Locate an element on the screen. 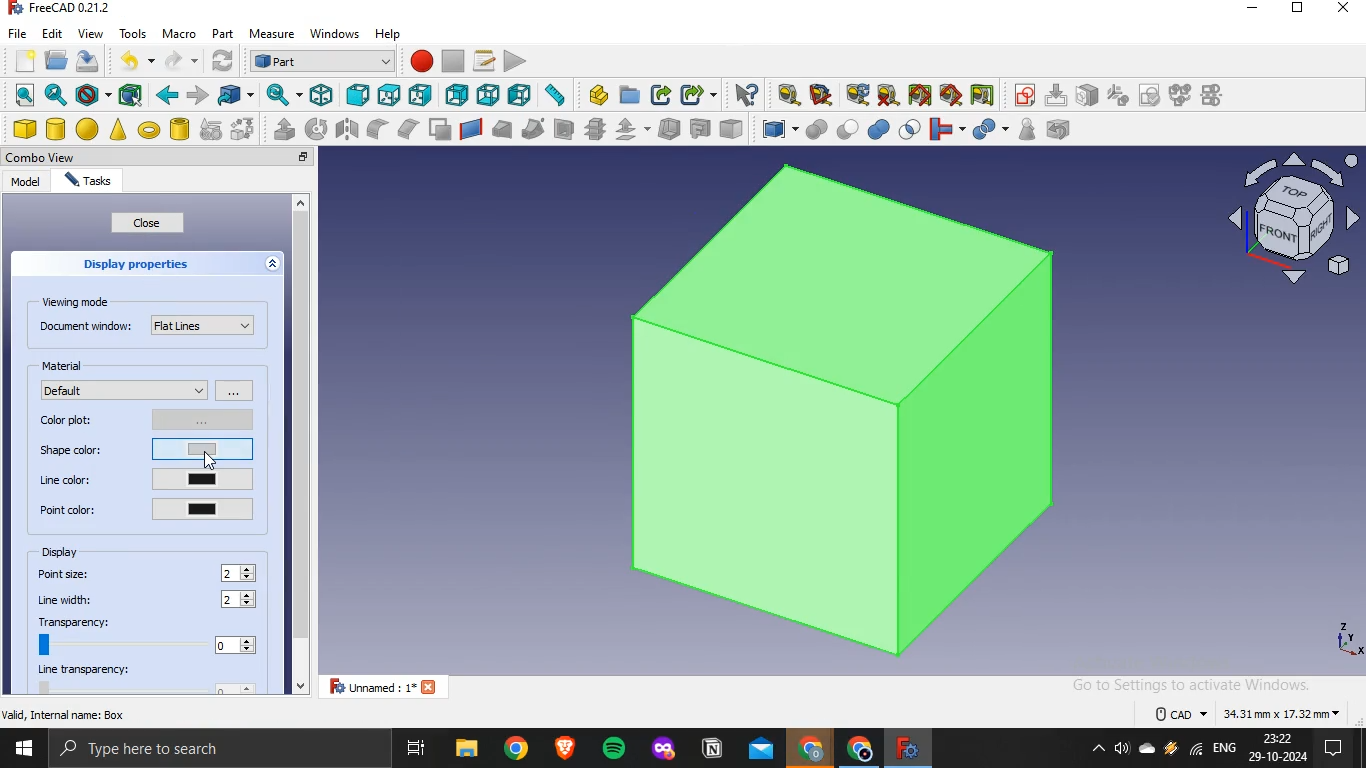  close is located at coordinates (304, 158).